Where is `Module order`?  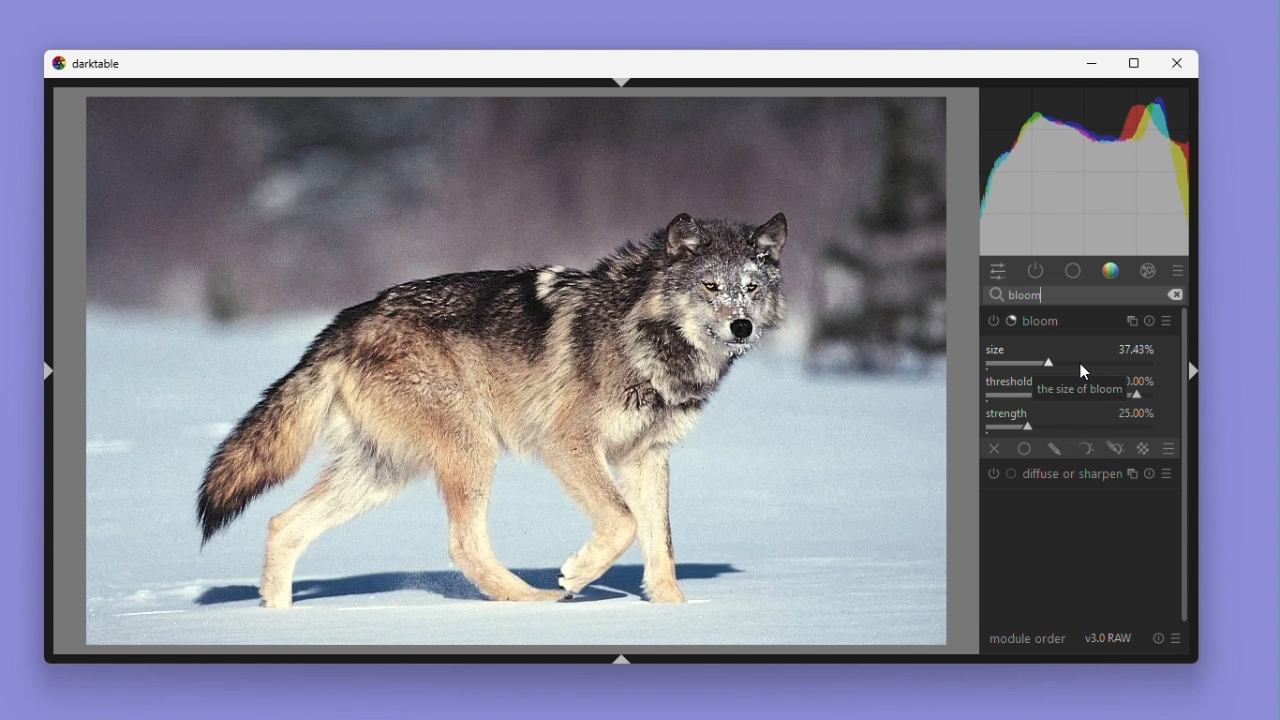 Module order is located at coordinates (1029, 638).